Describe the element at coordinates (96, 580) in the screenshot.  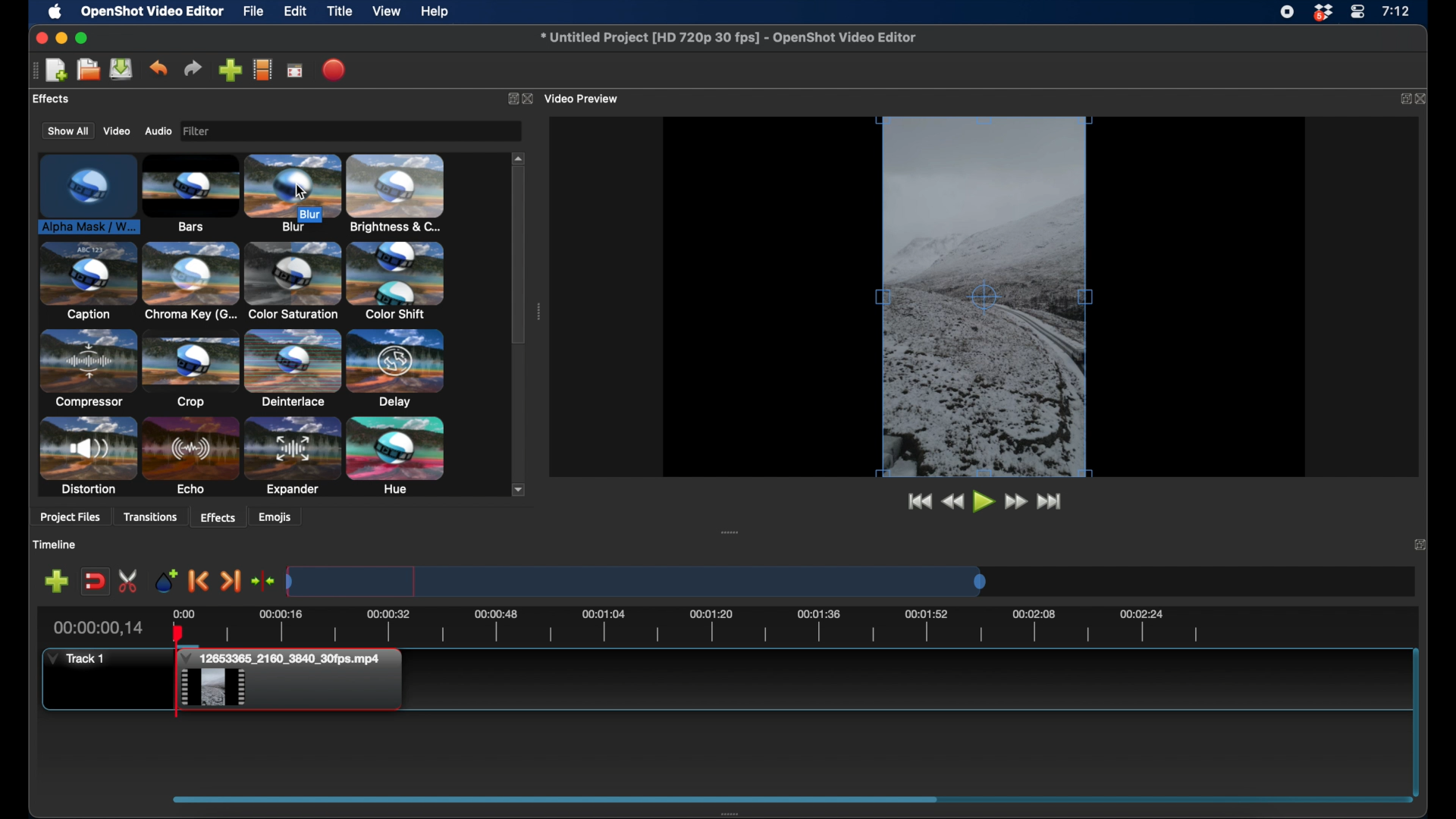
I see `disbale snapping` at that location.